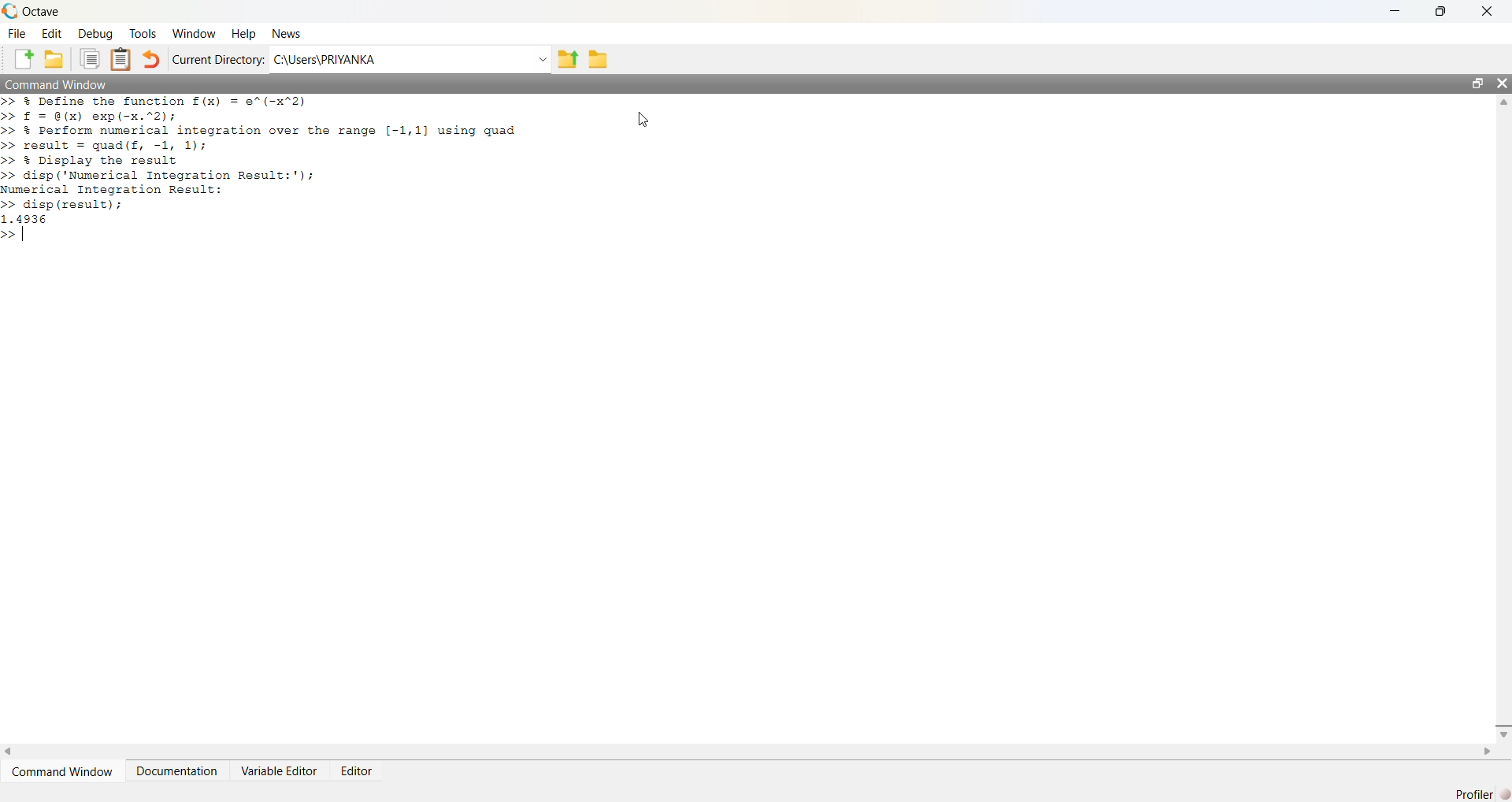 The image size is (1512, 802). I want to click on Profiler, so click(1475, 794).